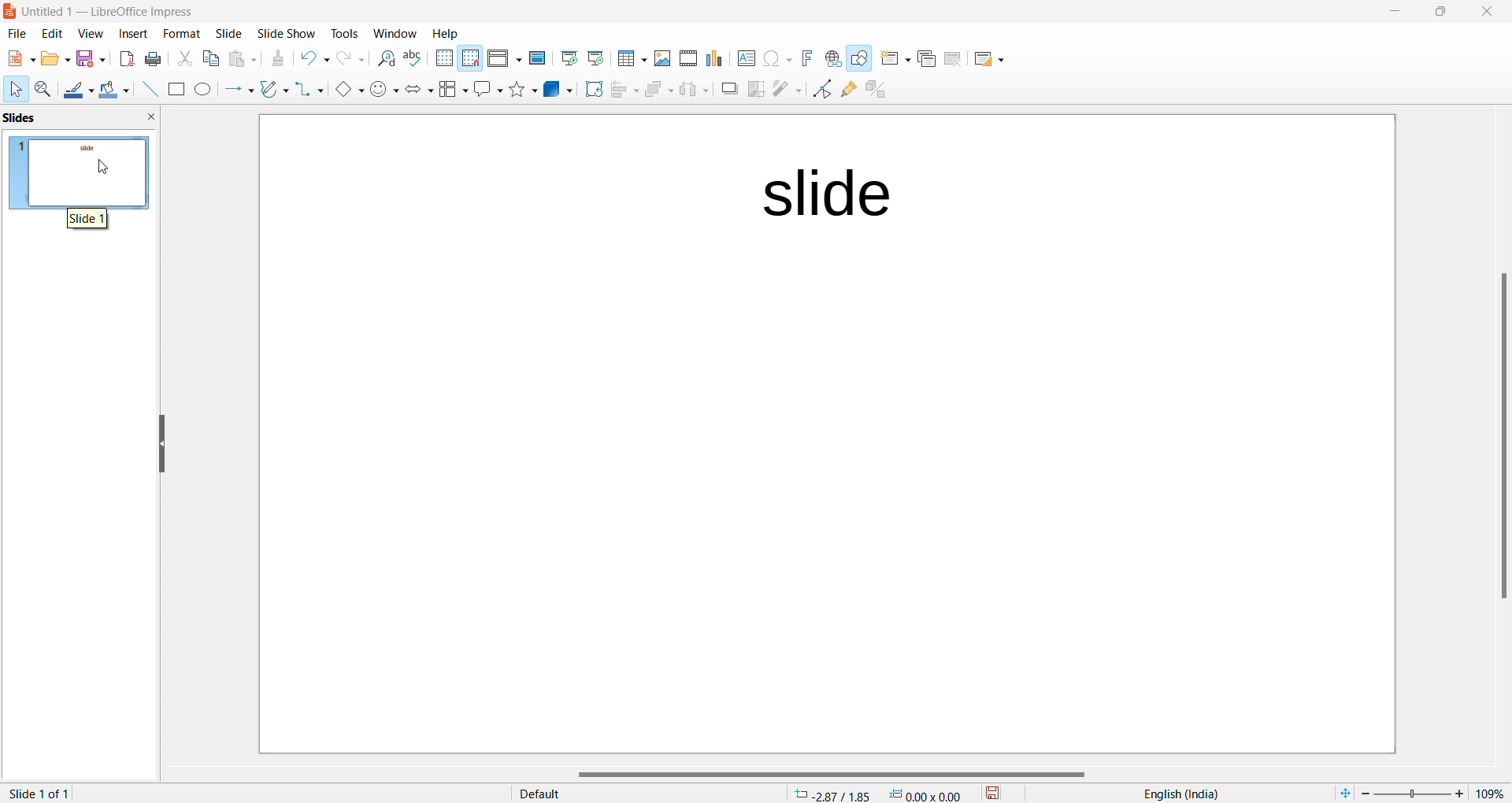 This screenshot has width=1512, height=803. What do you see at coordinates (556, 91) in the screenshot?
I see `3D objects` at bounding box center [556, 91].